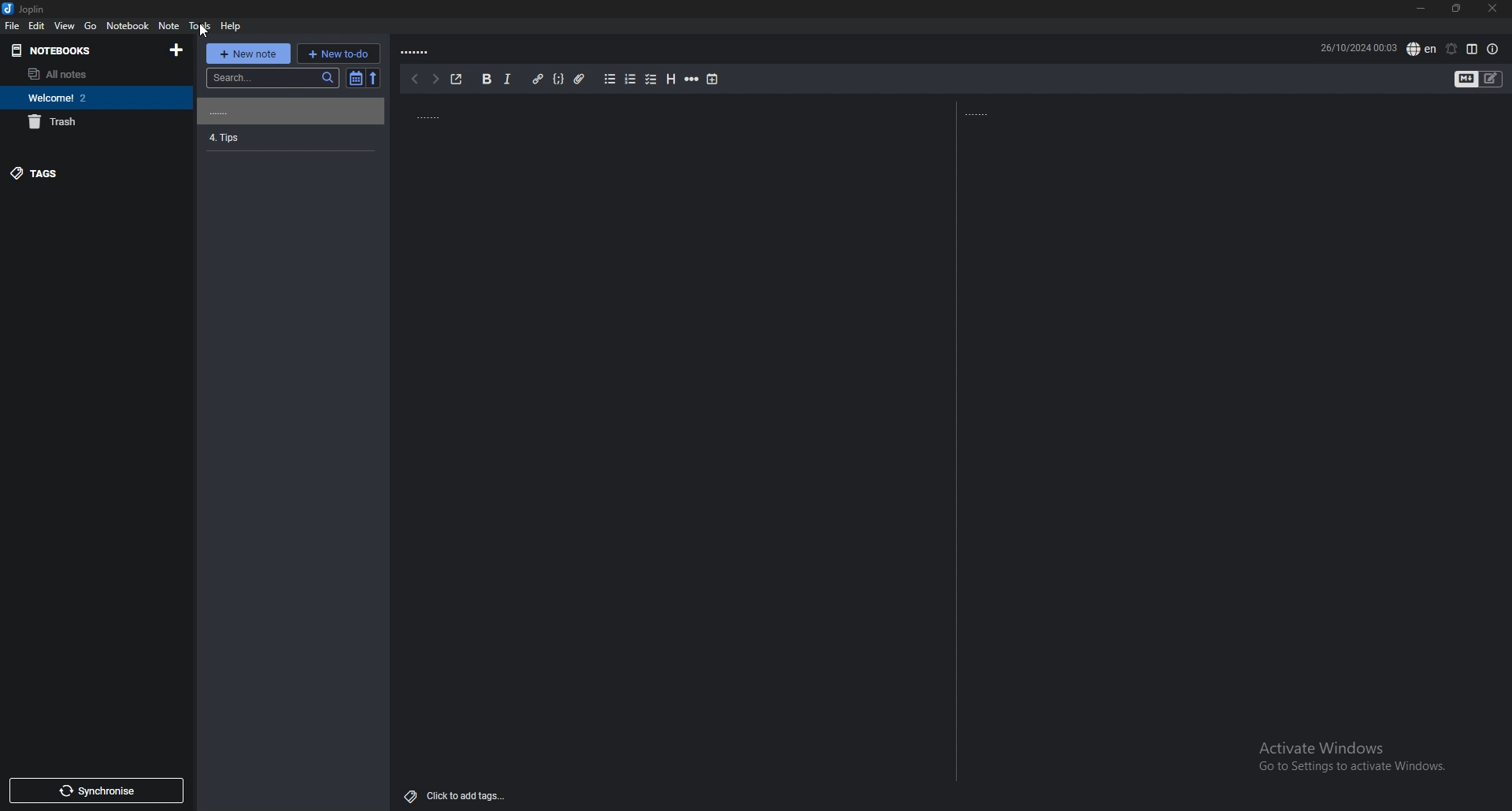  What do you see at coordinates (414, 80) in the screenshot?
I see `back` at bounding box center [414, 80].